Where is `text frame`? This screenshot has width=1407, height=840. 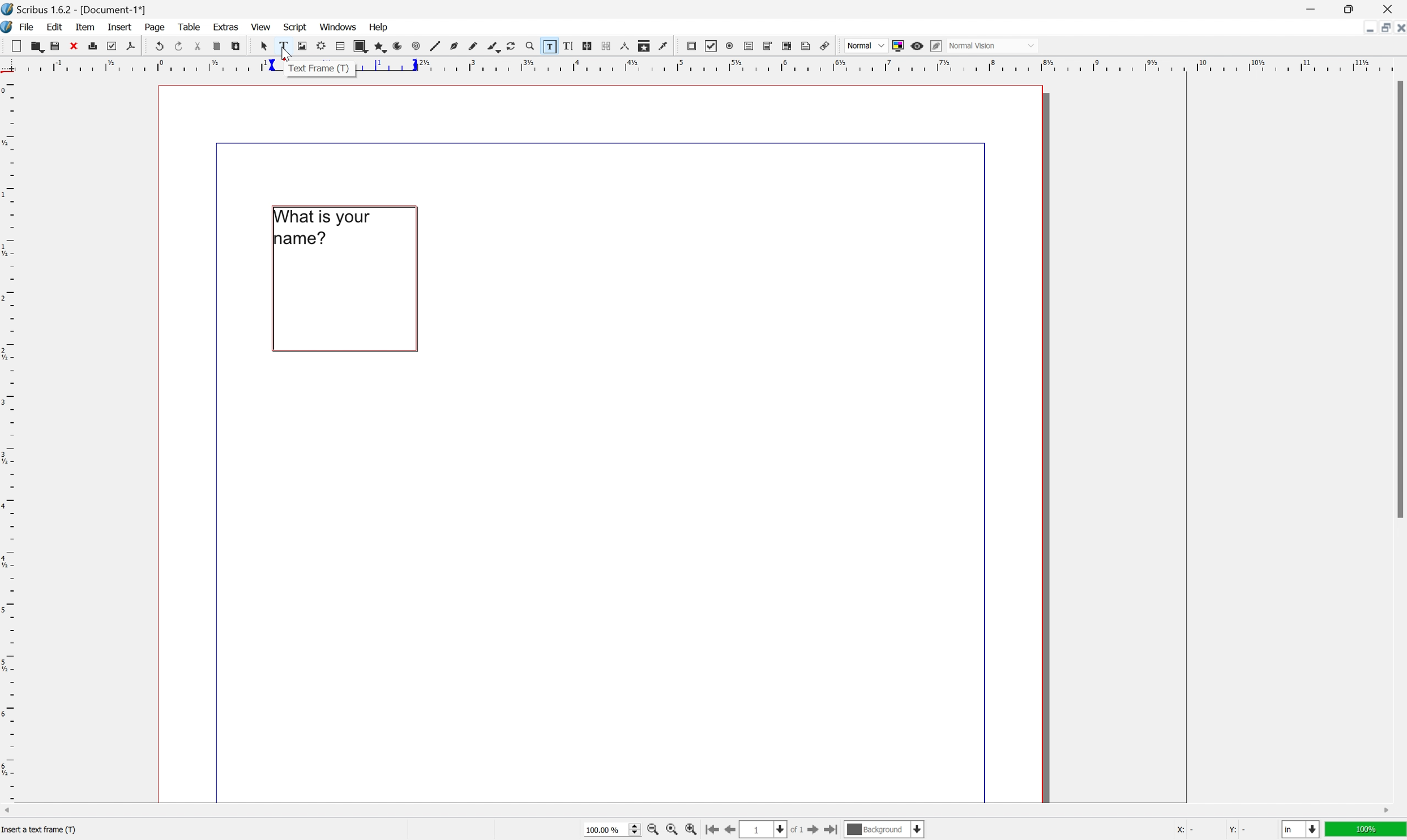 text frame is located at coordinates (319, 68).